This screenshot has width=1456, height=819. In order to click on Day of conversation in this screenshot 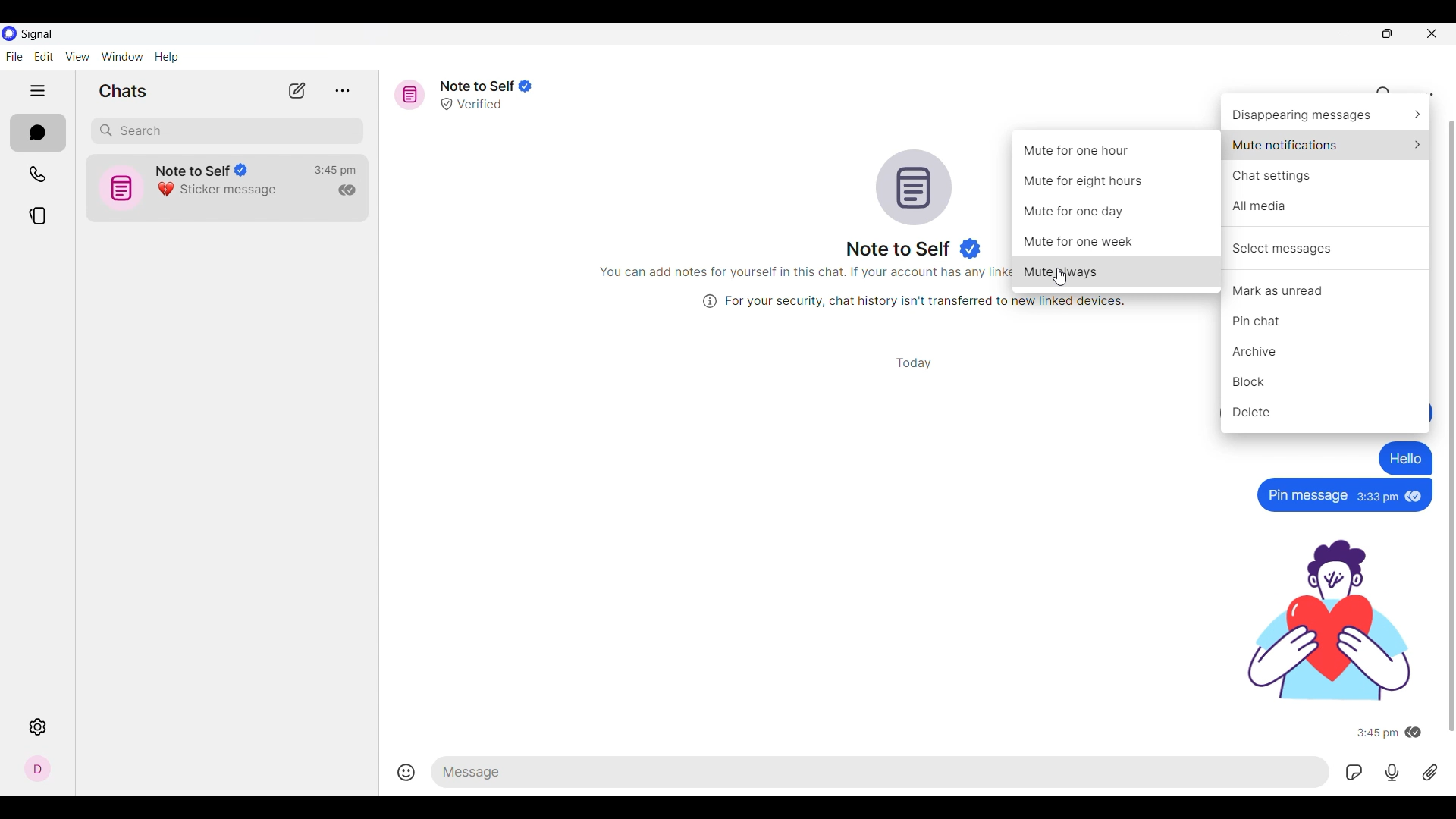, I will do `click(914, 362)`.